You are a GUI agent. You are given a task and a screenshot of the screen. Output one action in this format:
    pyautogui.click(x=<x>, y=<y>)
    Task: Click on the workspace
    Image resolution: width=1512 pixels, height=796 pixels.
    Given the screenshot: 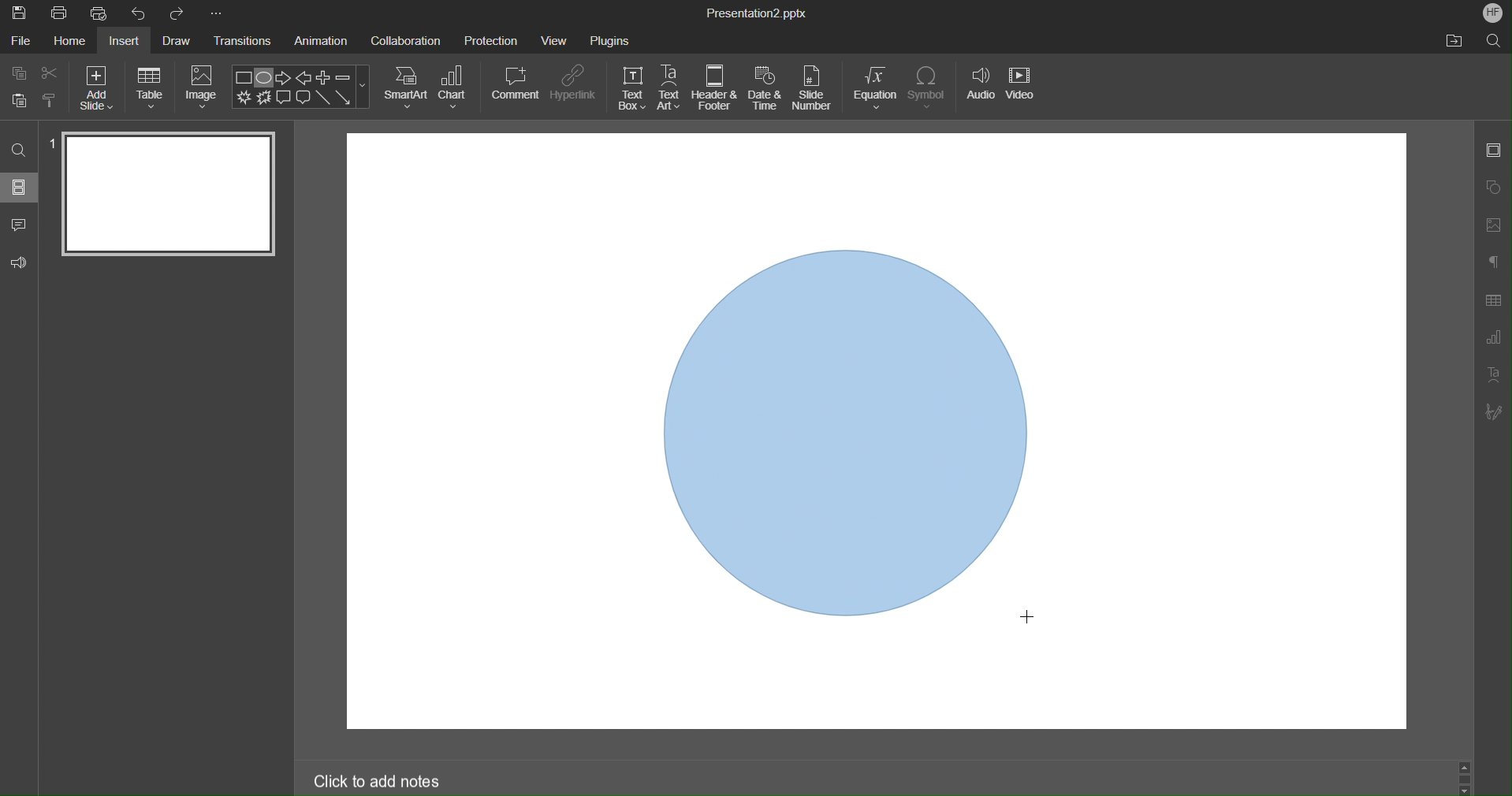 What is the action you would take?
    pyautogui.click(x=498, y=434)
    